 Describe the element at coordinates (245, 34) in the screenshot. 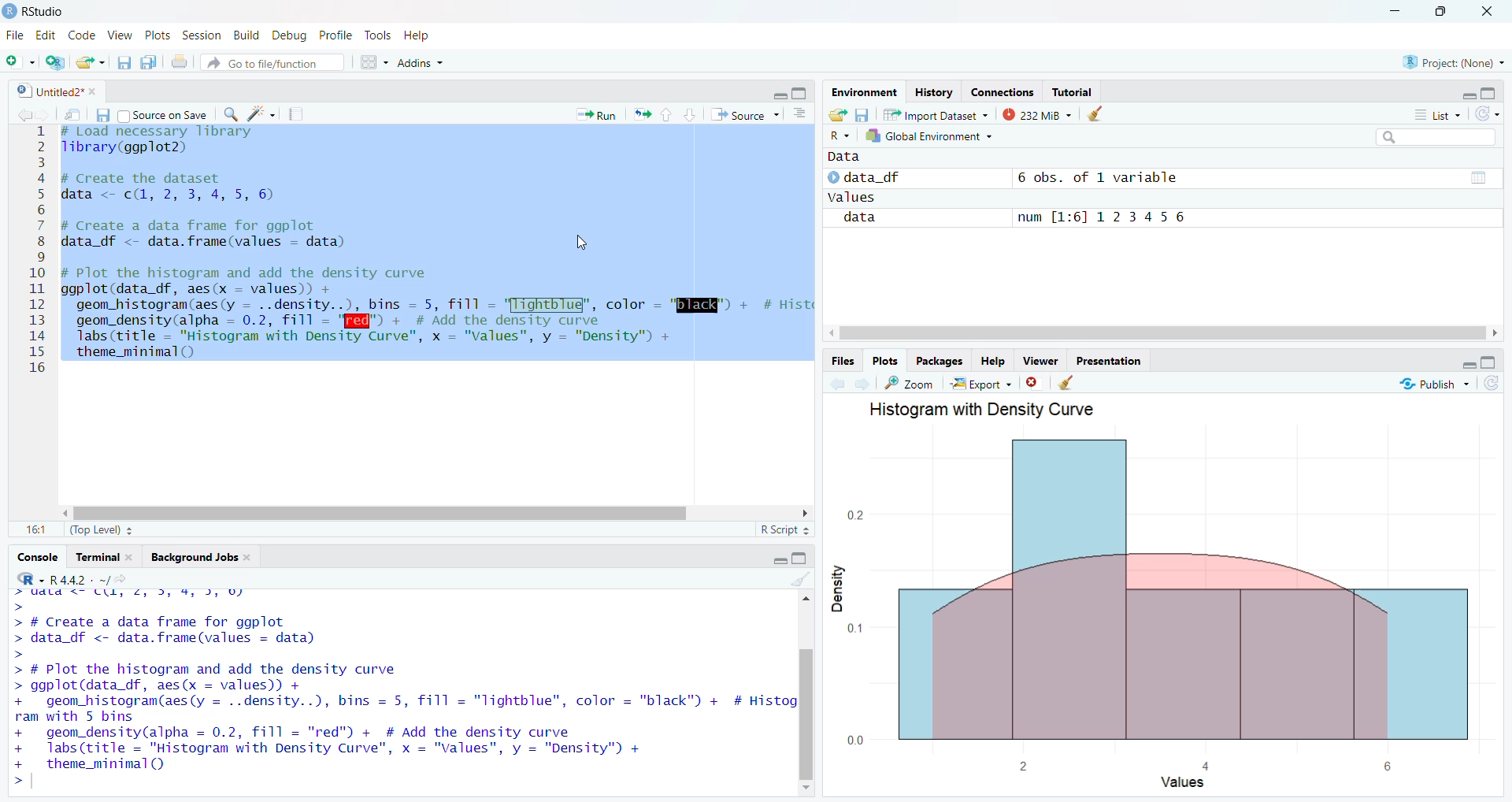

I see `Build` at that location.